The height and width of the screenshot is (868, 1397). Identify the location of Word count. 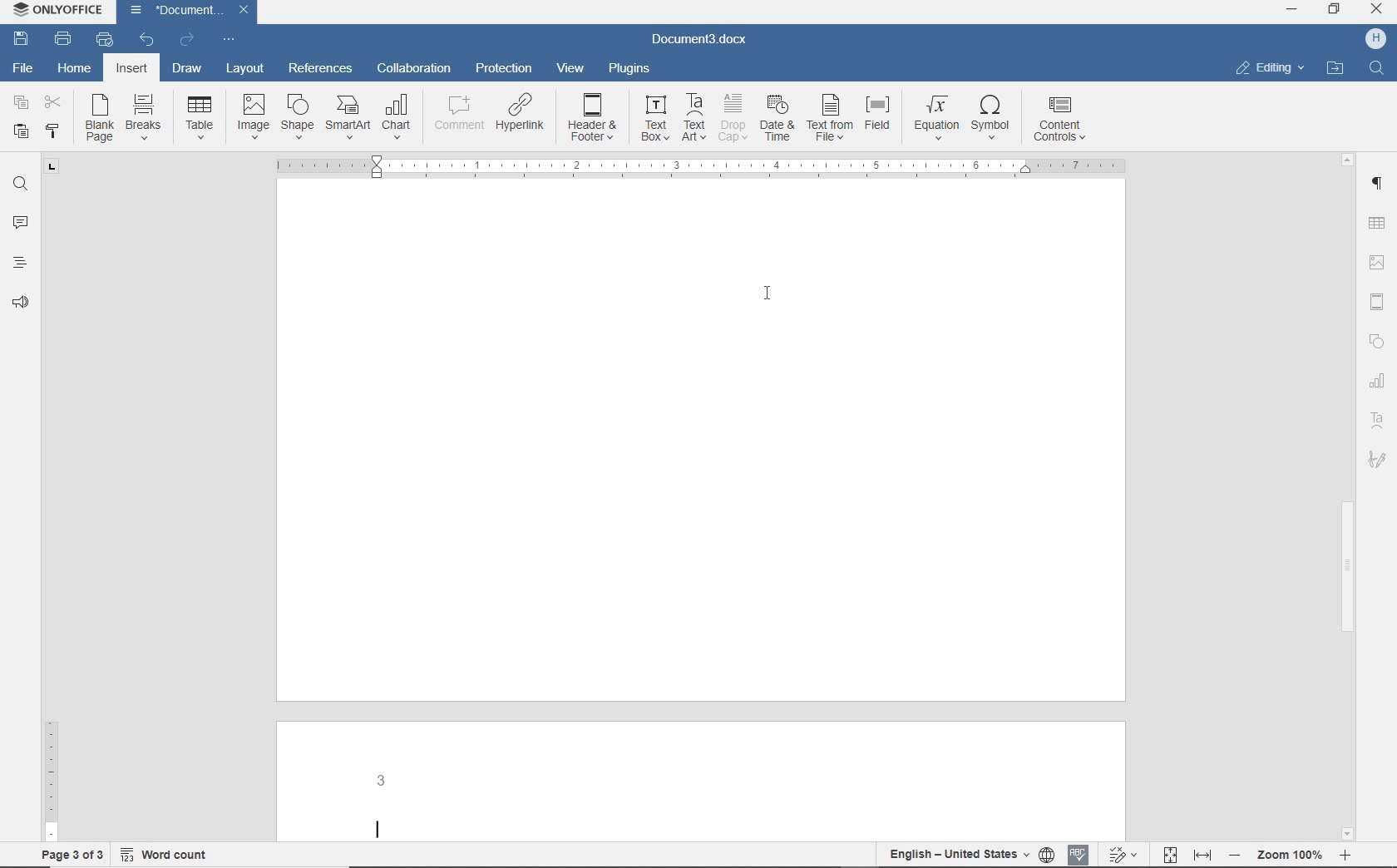
(165, 851).